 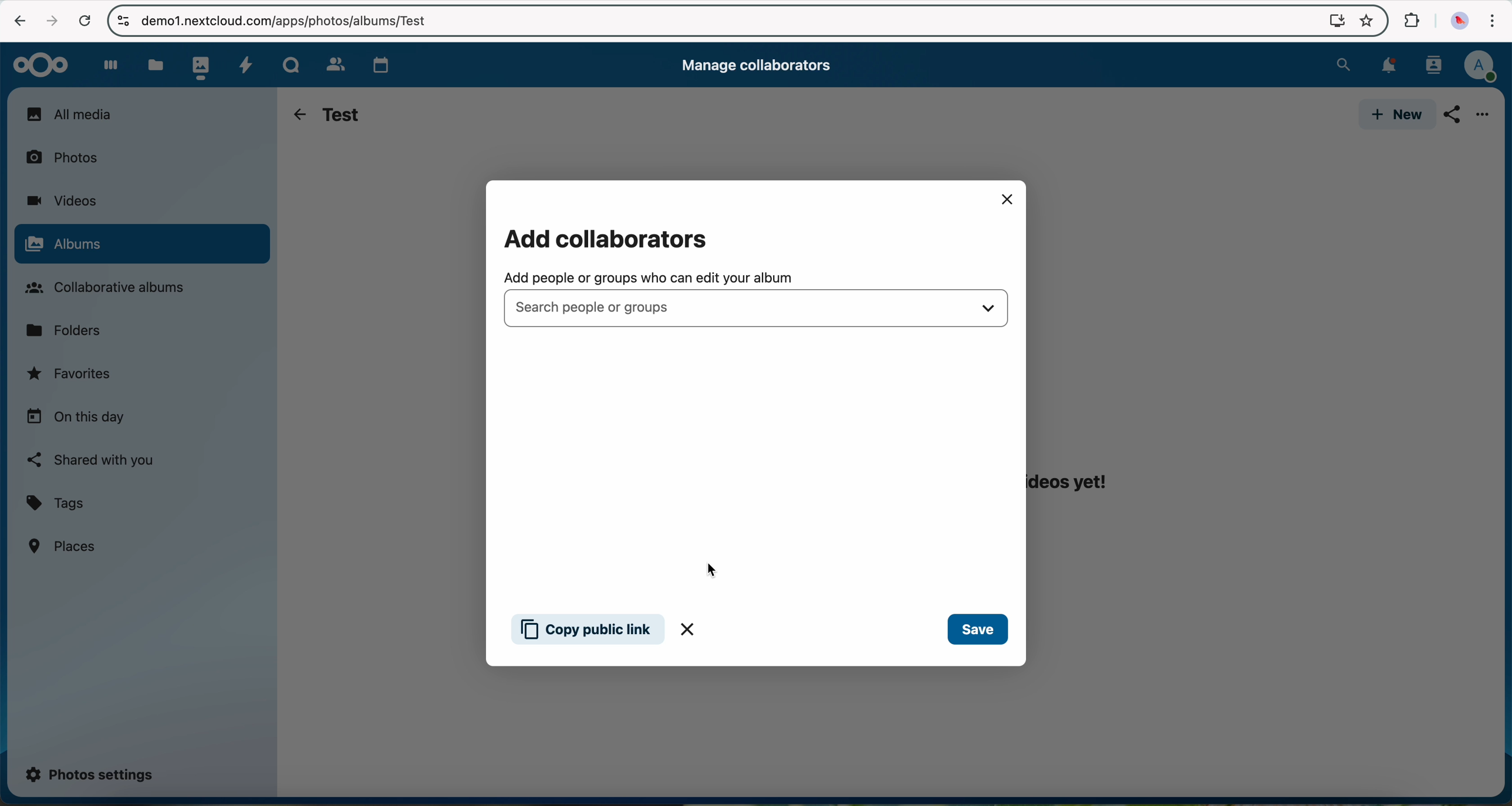 What do you see at coordinates (68, 329) in the screenshot?
I see `folders` at bounding box center [68, 329].